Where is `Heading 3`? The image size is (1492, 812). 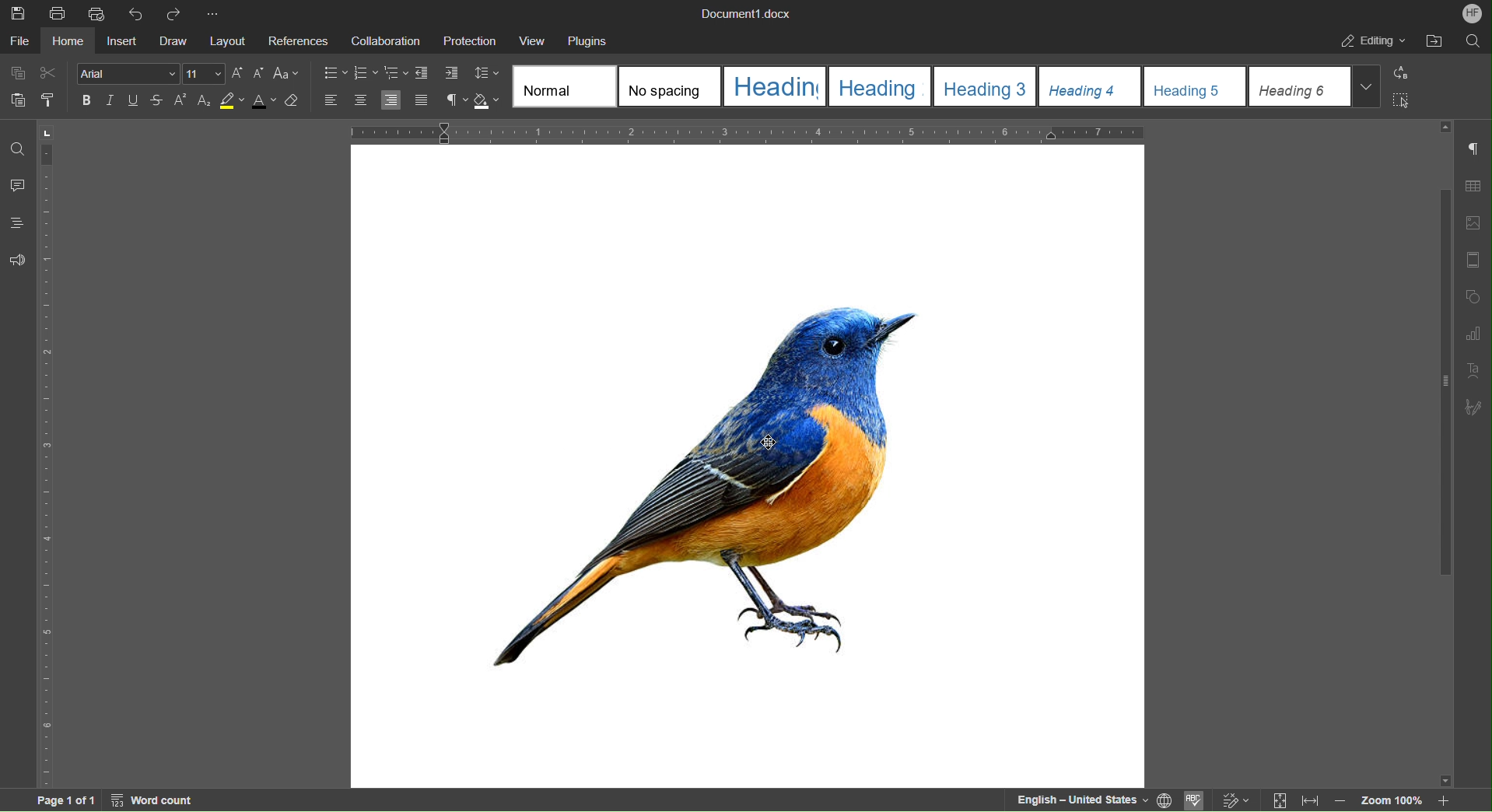 Heading 3 is located at coordinates (985, 86).